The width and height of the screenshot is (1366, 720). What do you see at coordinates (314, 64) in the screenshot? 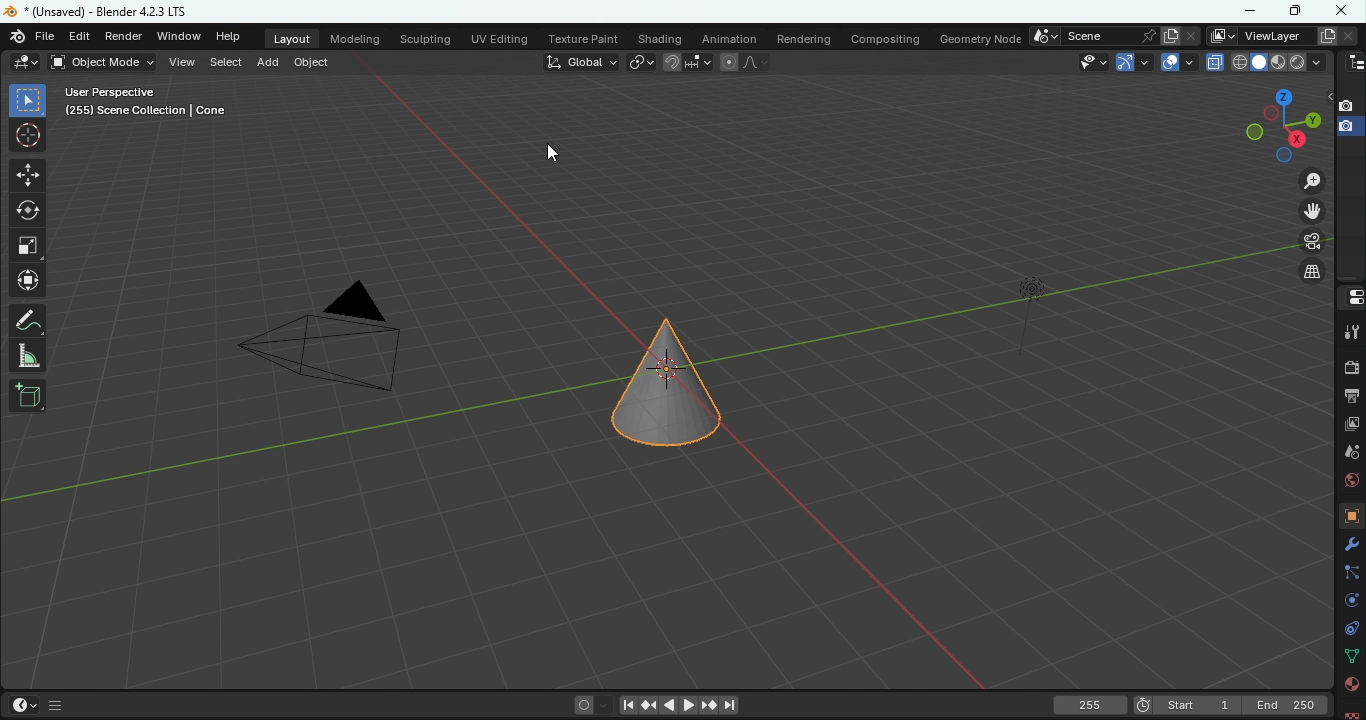
I see `Object` at bounding box center [314, 64].